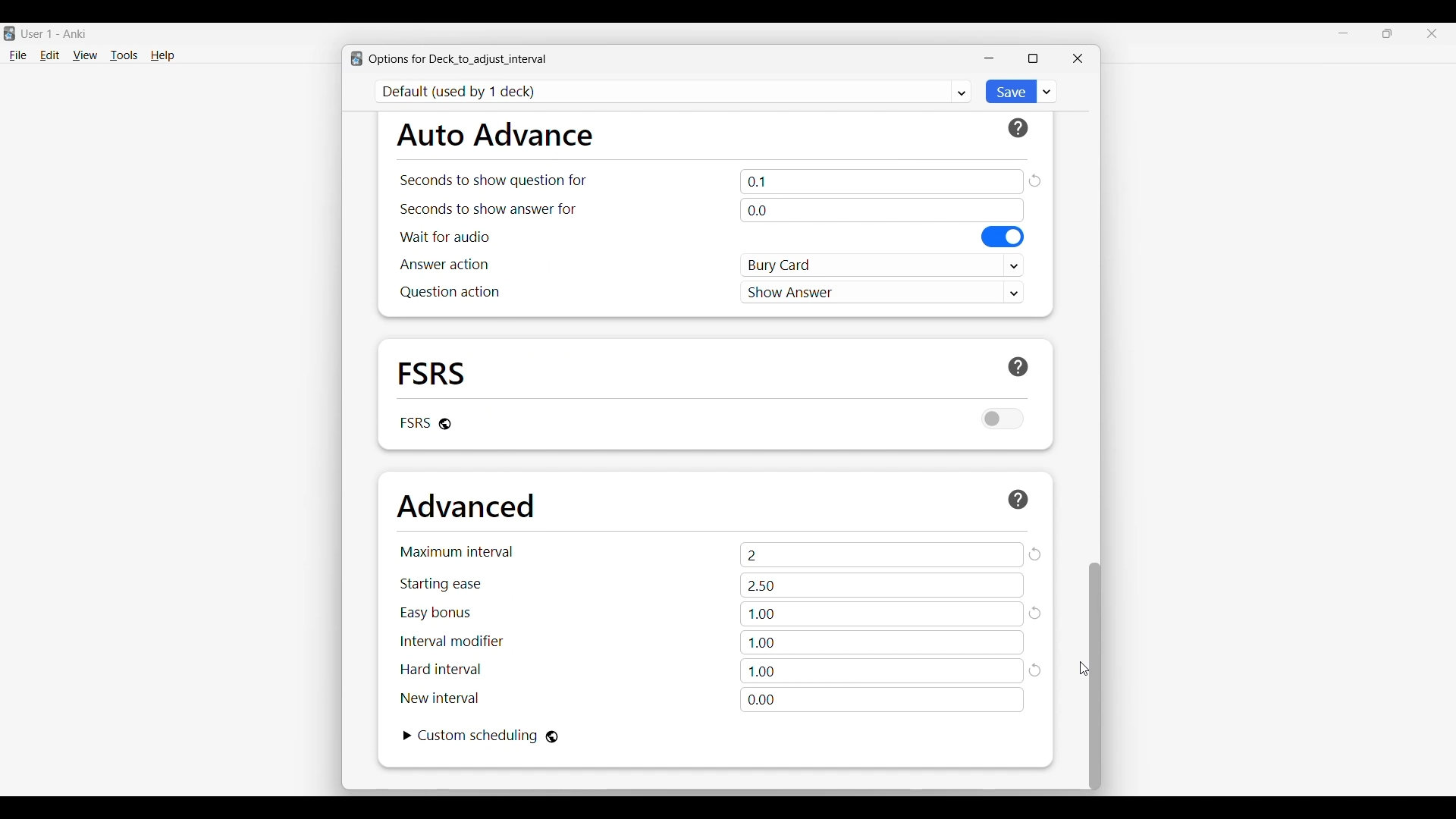 This screenshot has height=819, width=1456. What do you see at coordinates (1003, 419) in the screenshot?
I see `Toggle for FSRS` at bounding box center [1003, 419].